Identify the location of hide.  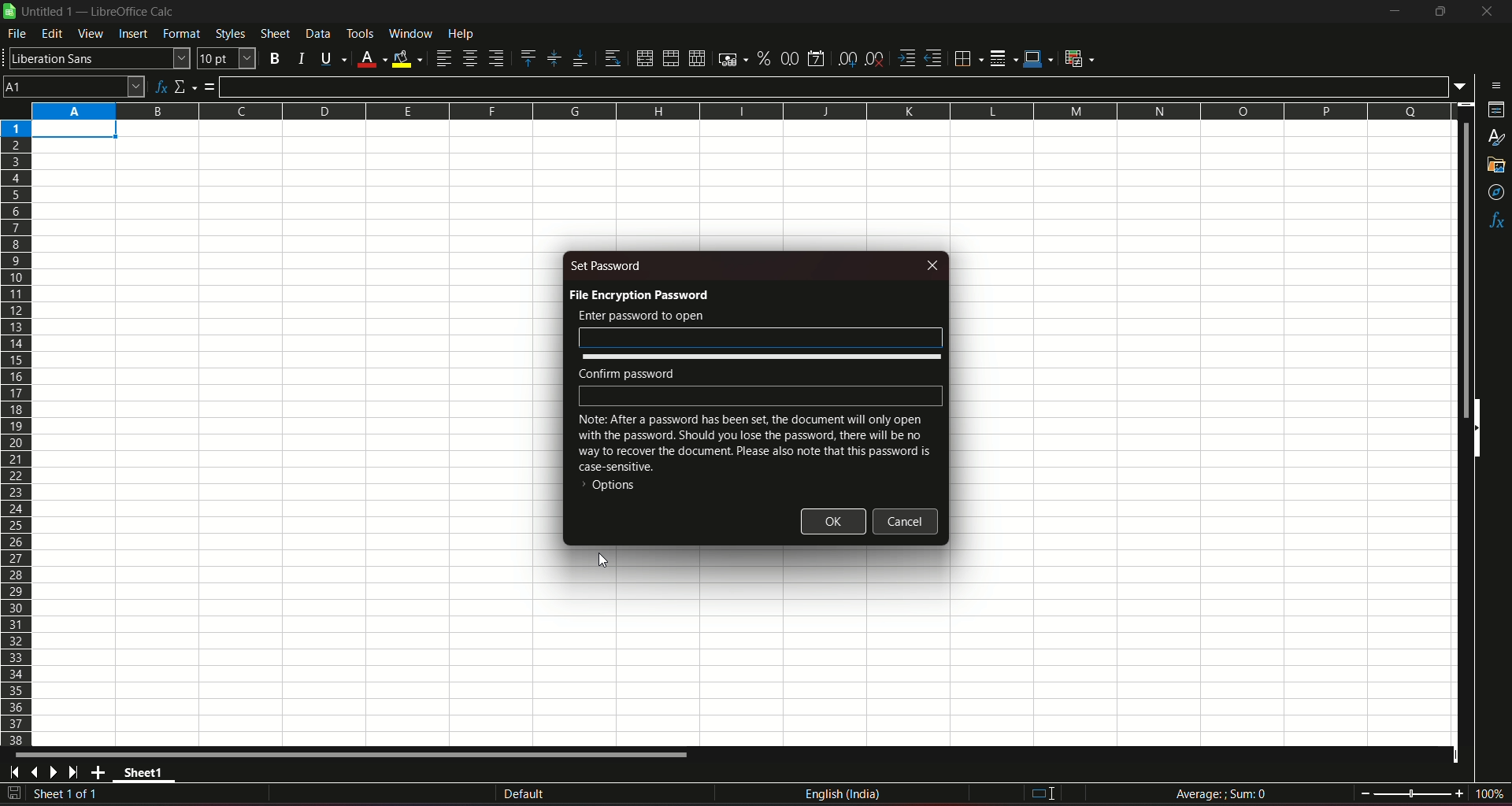
(1476, 430).